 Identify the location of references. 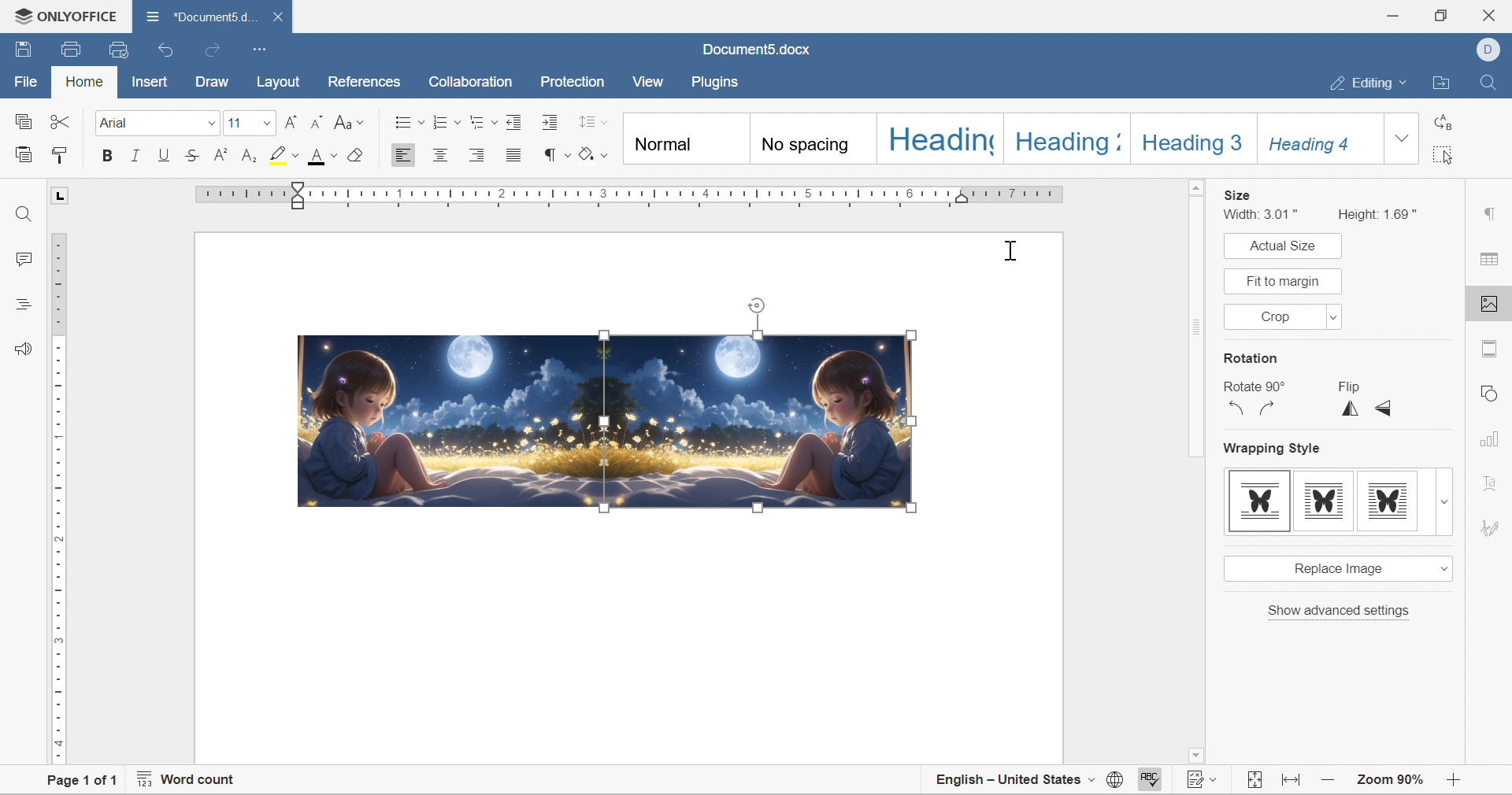
(362, 83).